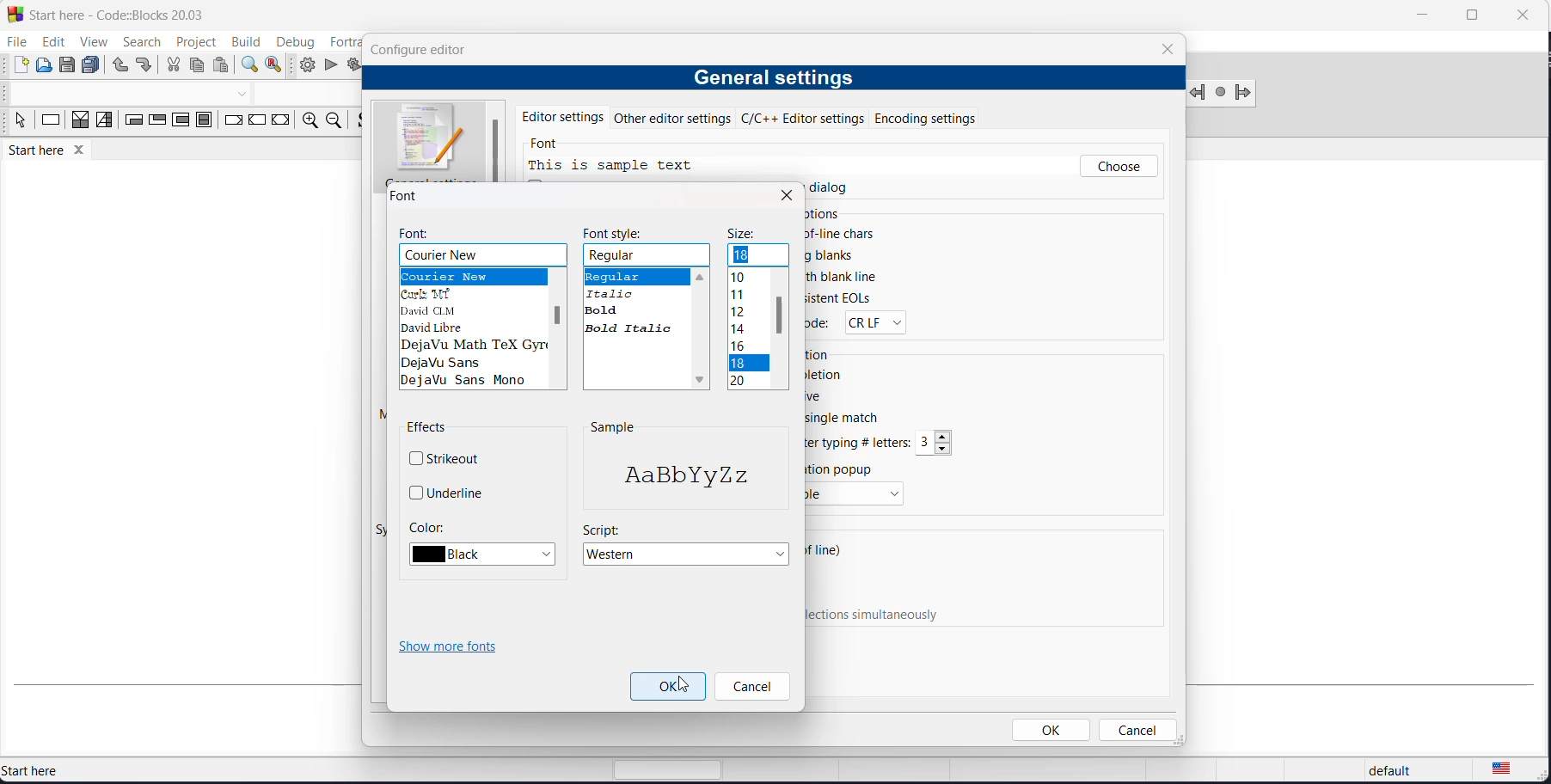 The width and height of the screenshot is (1551, 784). What do you see at coordinates (829, 374) in the screenshot?
I see `eletion` at bounding box center [829, 374].